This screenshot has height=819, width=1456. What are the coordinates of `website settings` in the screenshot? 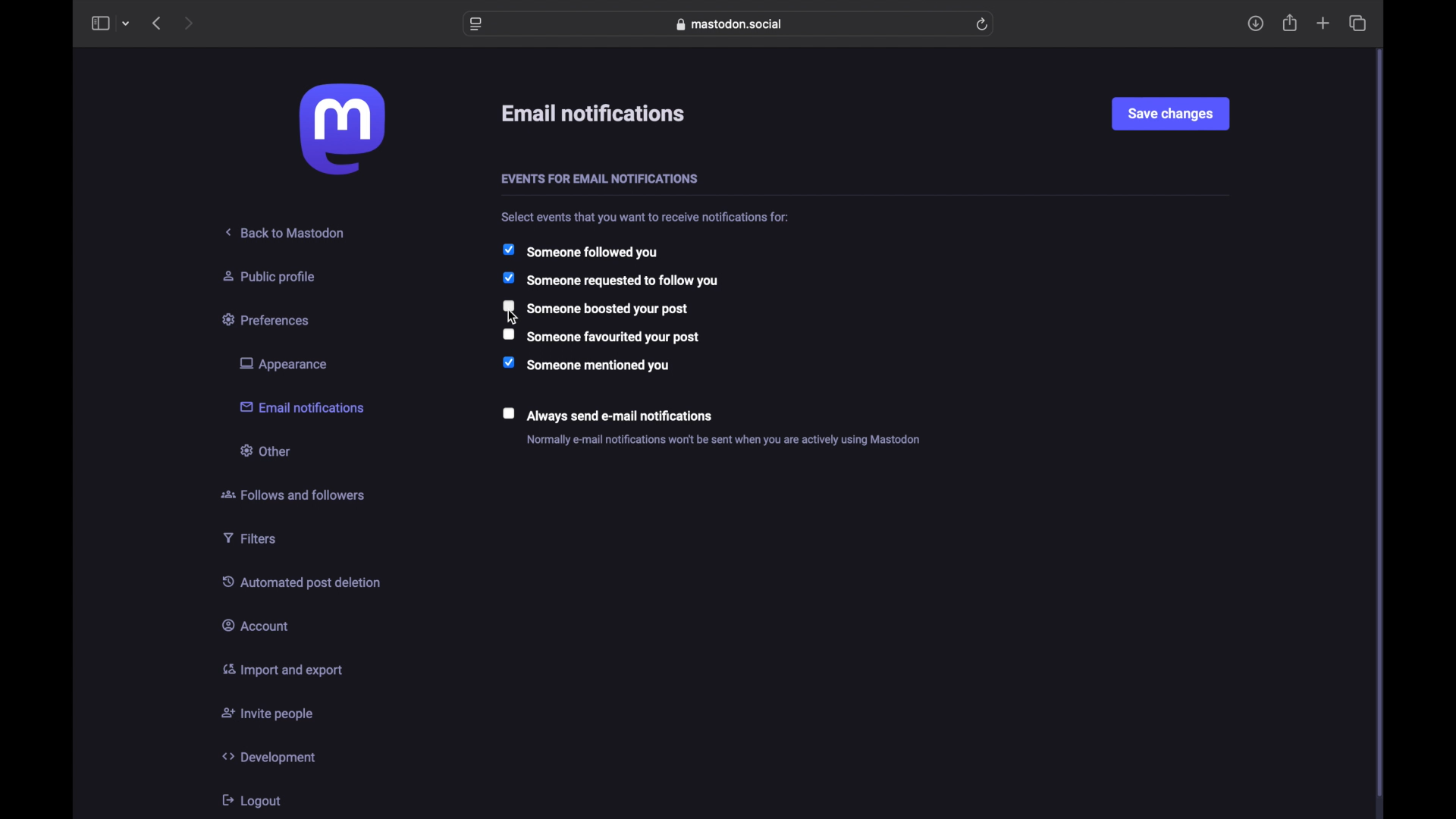 It's located at (476, 24).